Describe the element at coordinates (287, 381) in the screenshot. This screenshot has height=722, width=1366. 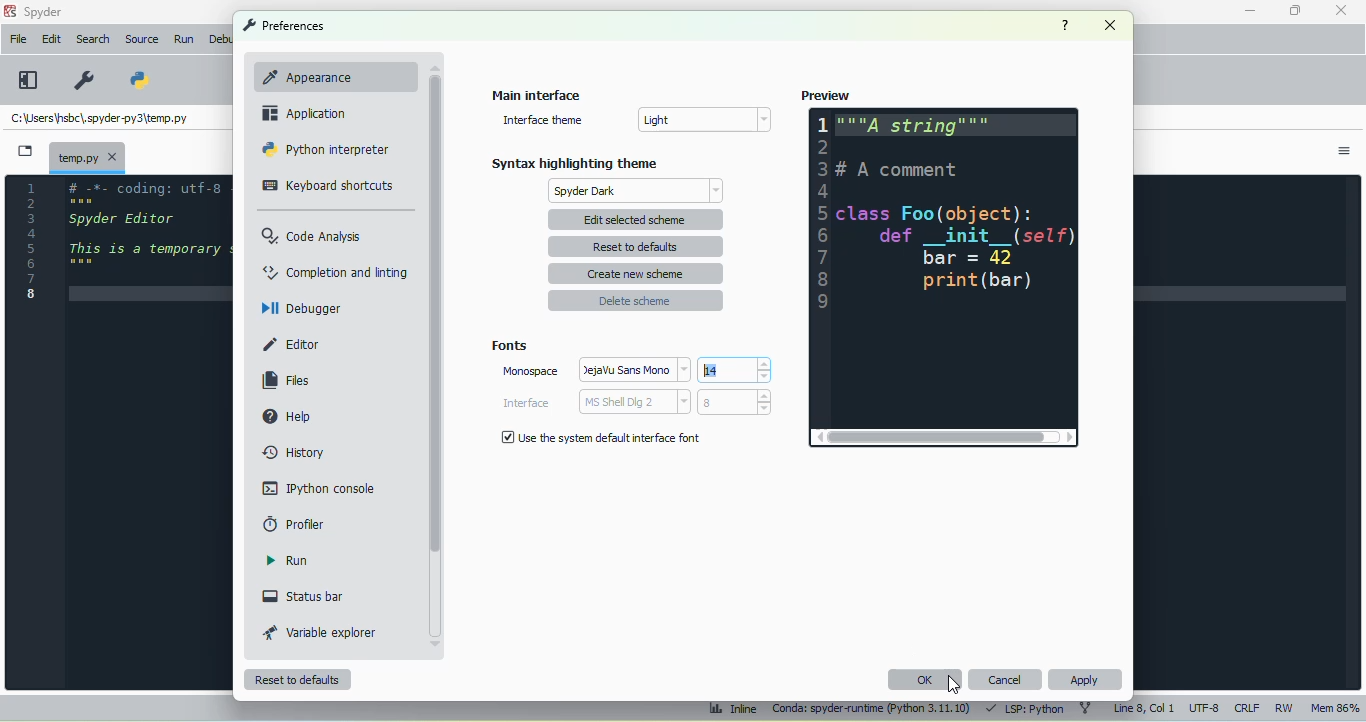
I see `files` at that location.